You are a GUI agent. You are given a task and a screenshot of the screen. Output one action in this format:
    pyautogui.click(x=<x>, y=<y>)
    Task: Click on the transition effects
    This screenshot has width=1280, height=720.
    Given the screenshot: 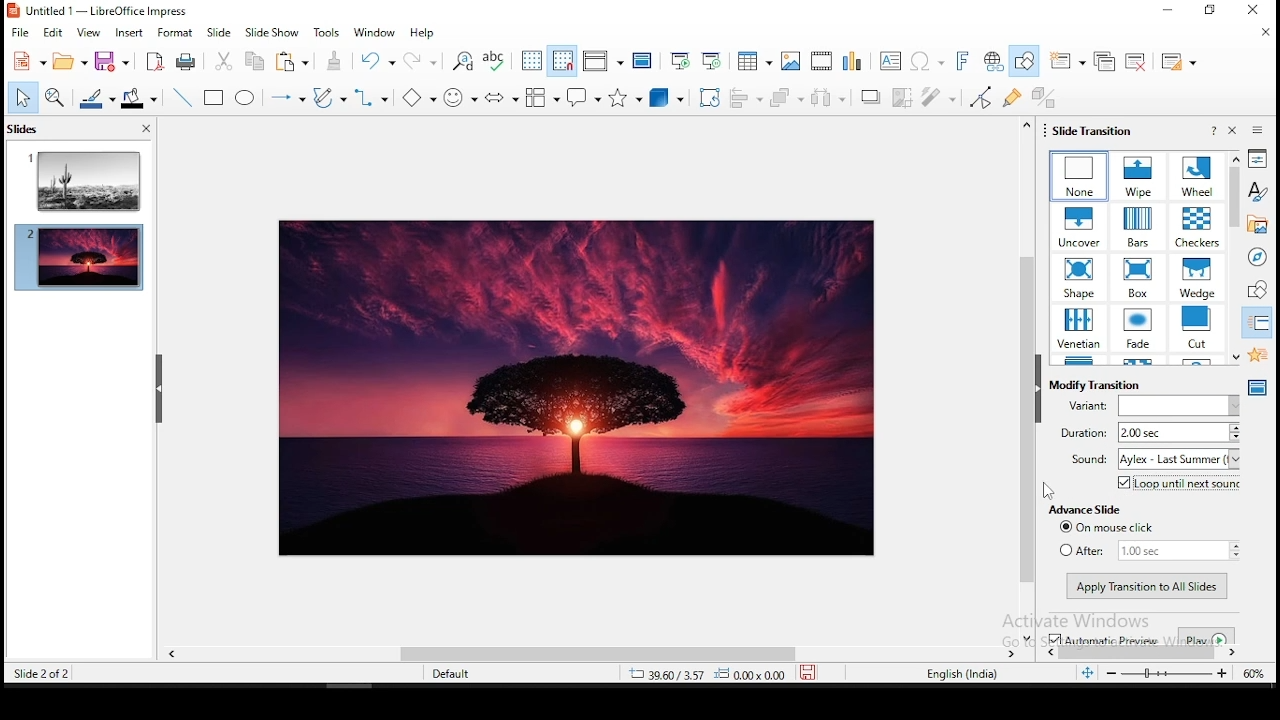 What is the action you would take?
    pyautogui.click(x=1081, y=176)
    